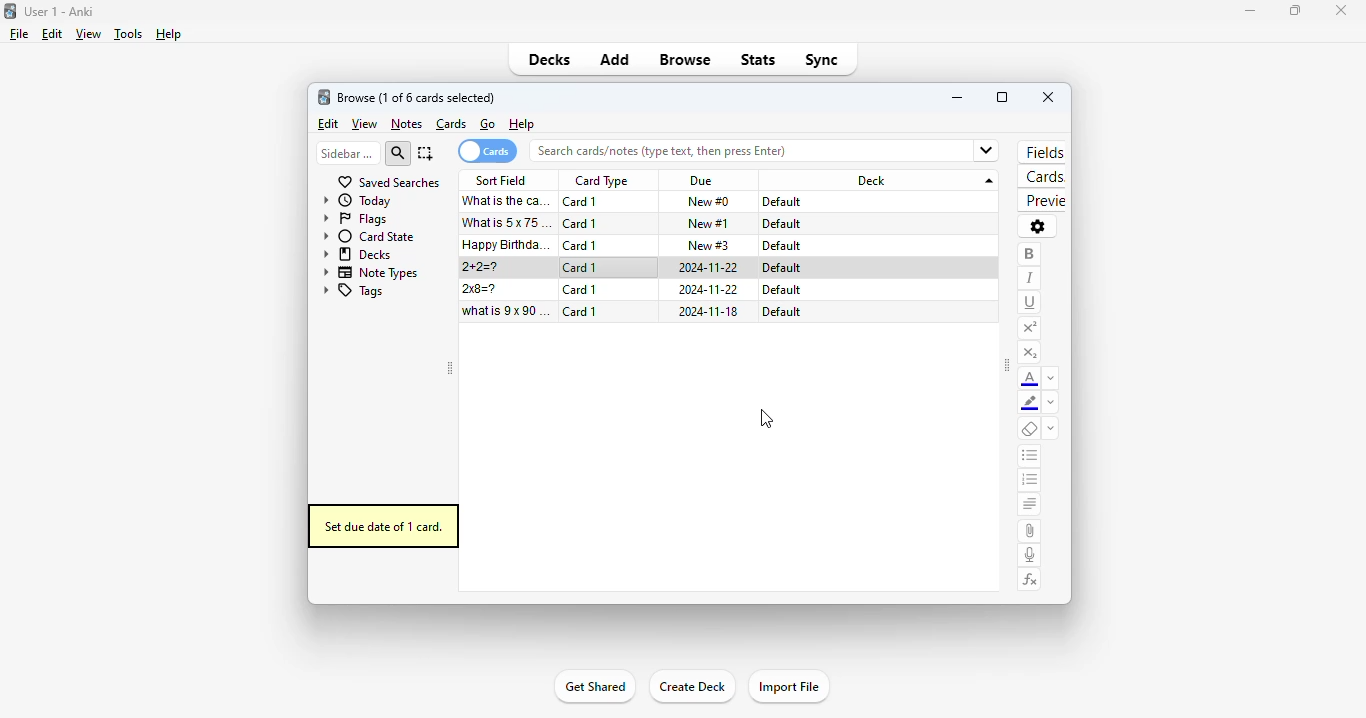 This screenshot has width=1366, height=718. I want to click on alignment, so click(1029, 506).